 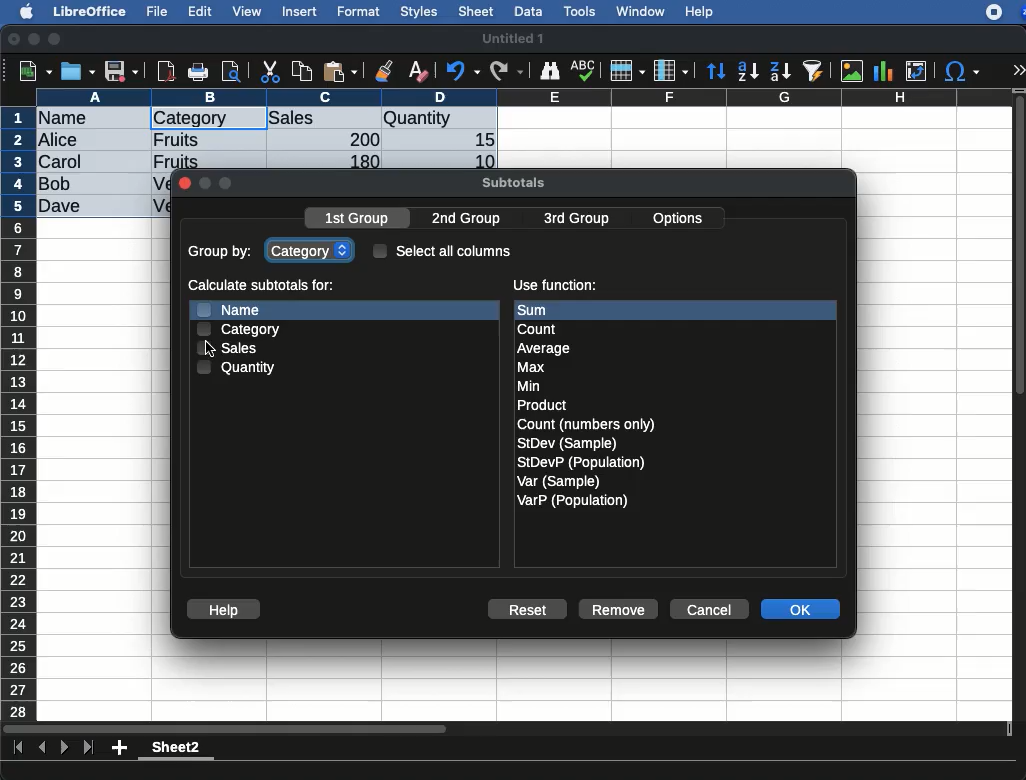 What do you see at coordinates (224, 610) in the screenshot?
I see `help` at bounding box center [224, 610].